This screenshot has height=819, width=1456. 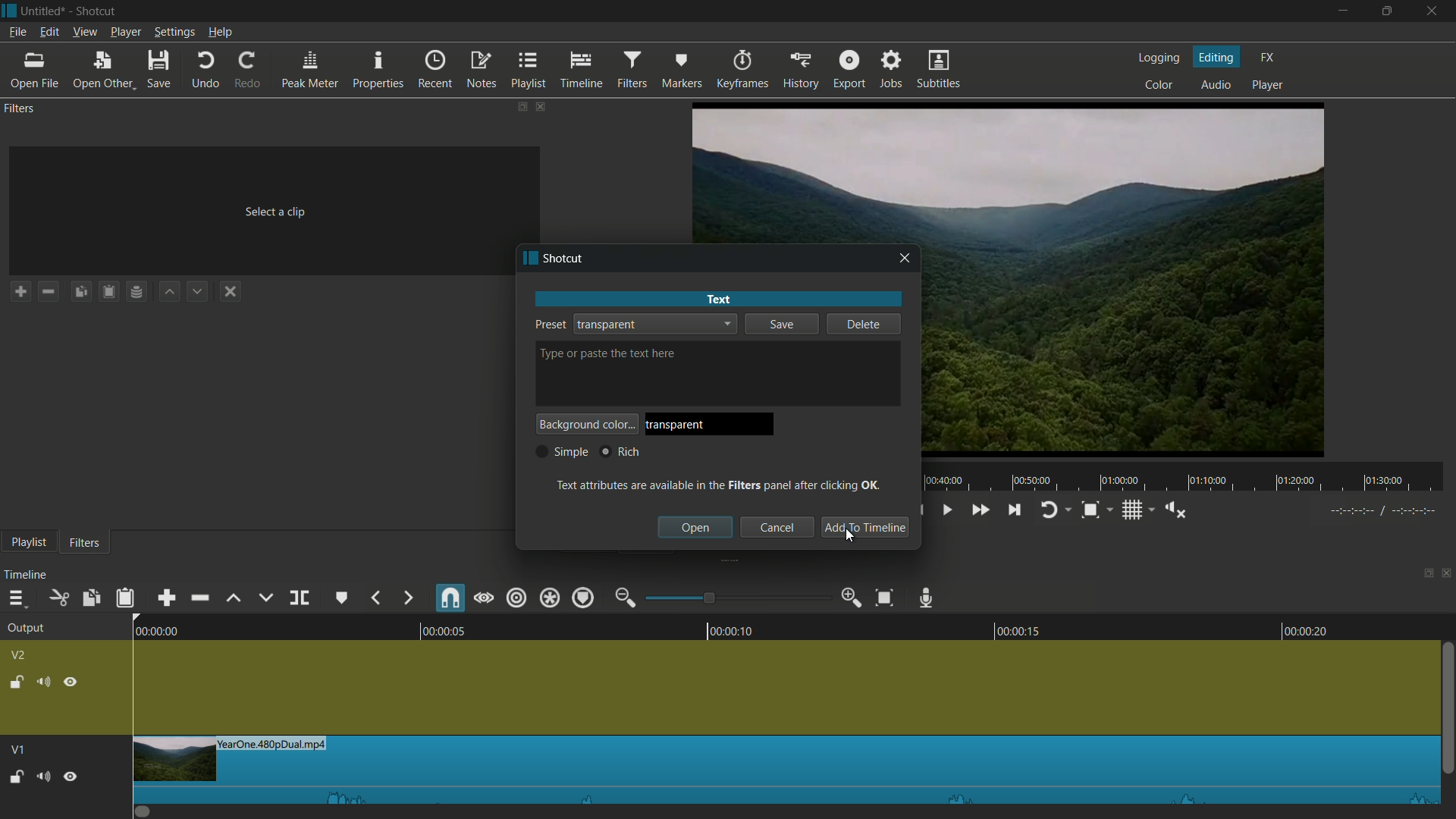 What do you see at coordinates (581, 71) in the screenshot?
I see `timeline` at bounding box center [581, 71].